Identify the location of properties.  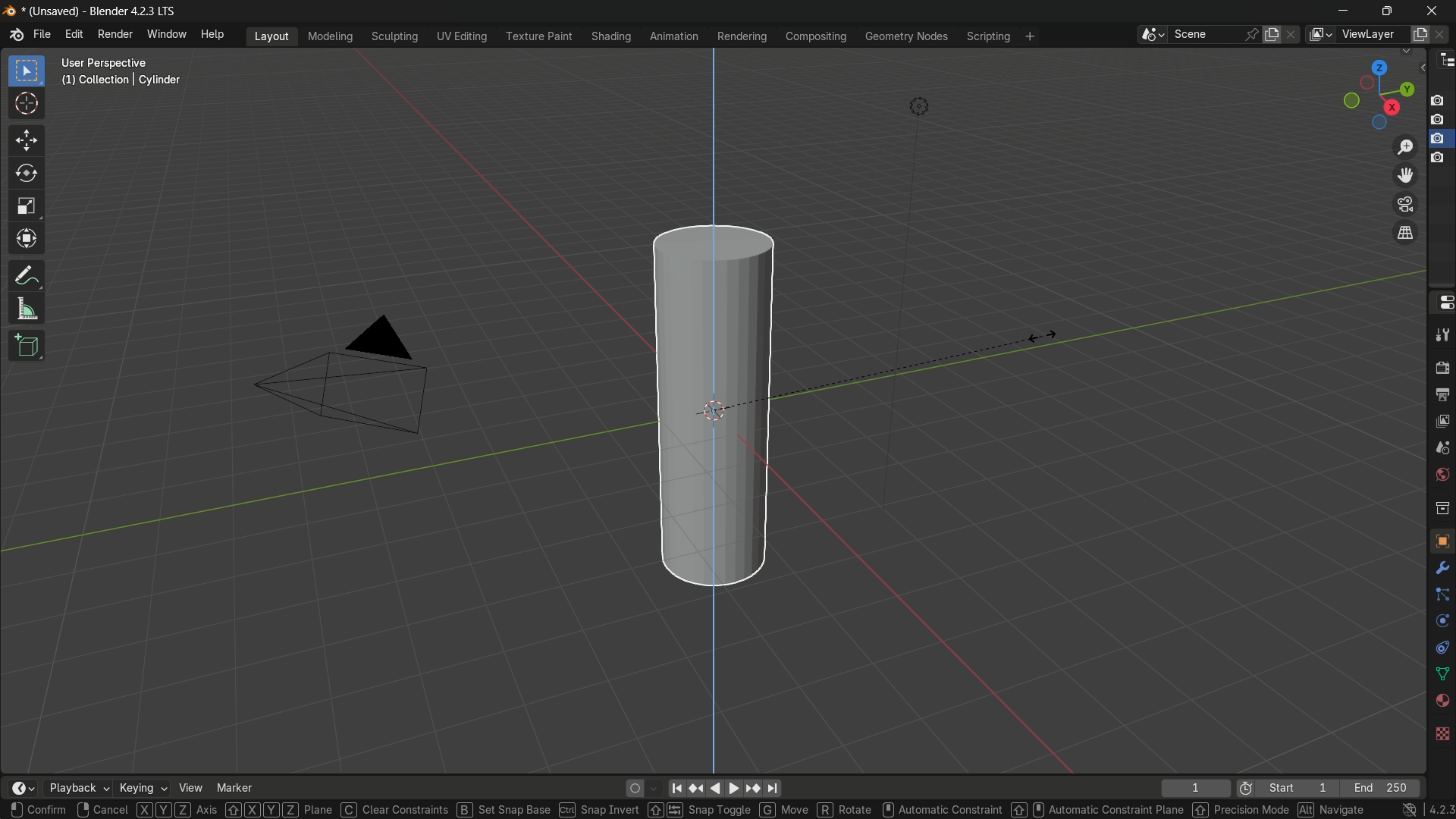
(1442, 302).